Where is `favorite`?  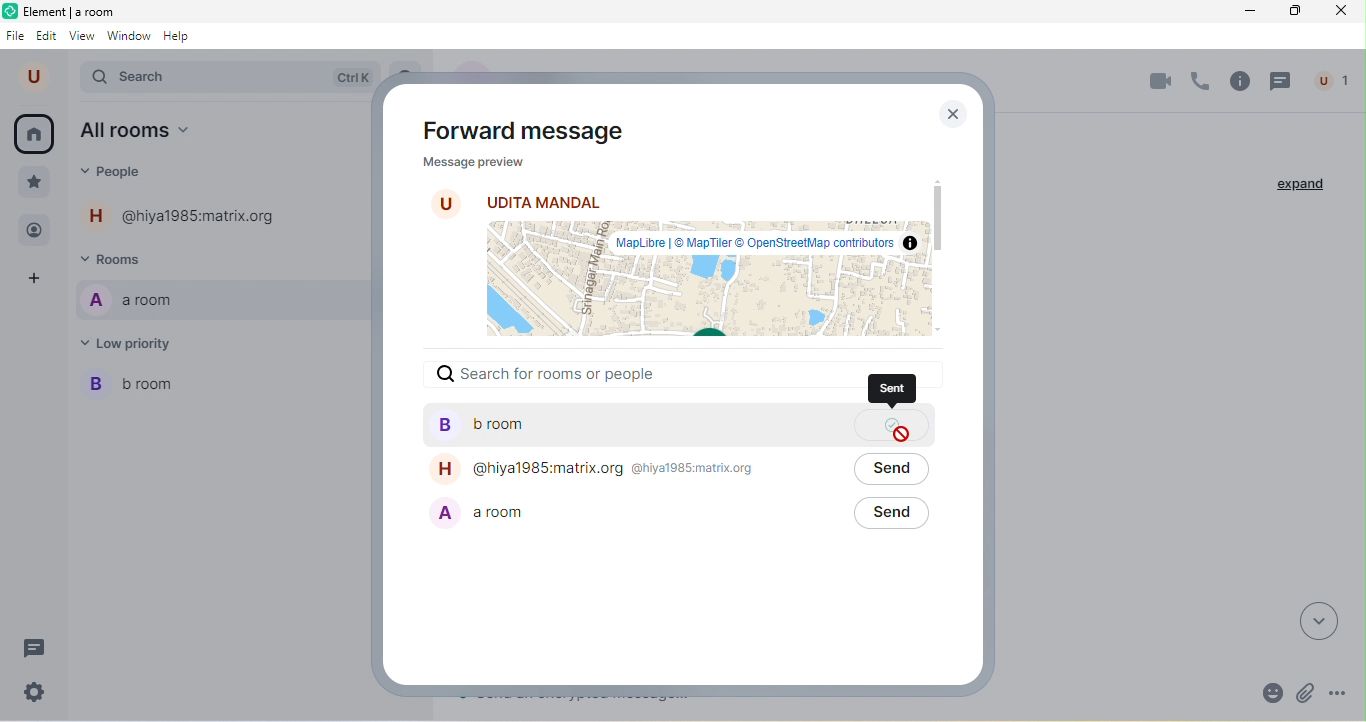 favorite is located at coordinates (33, 183).